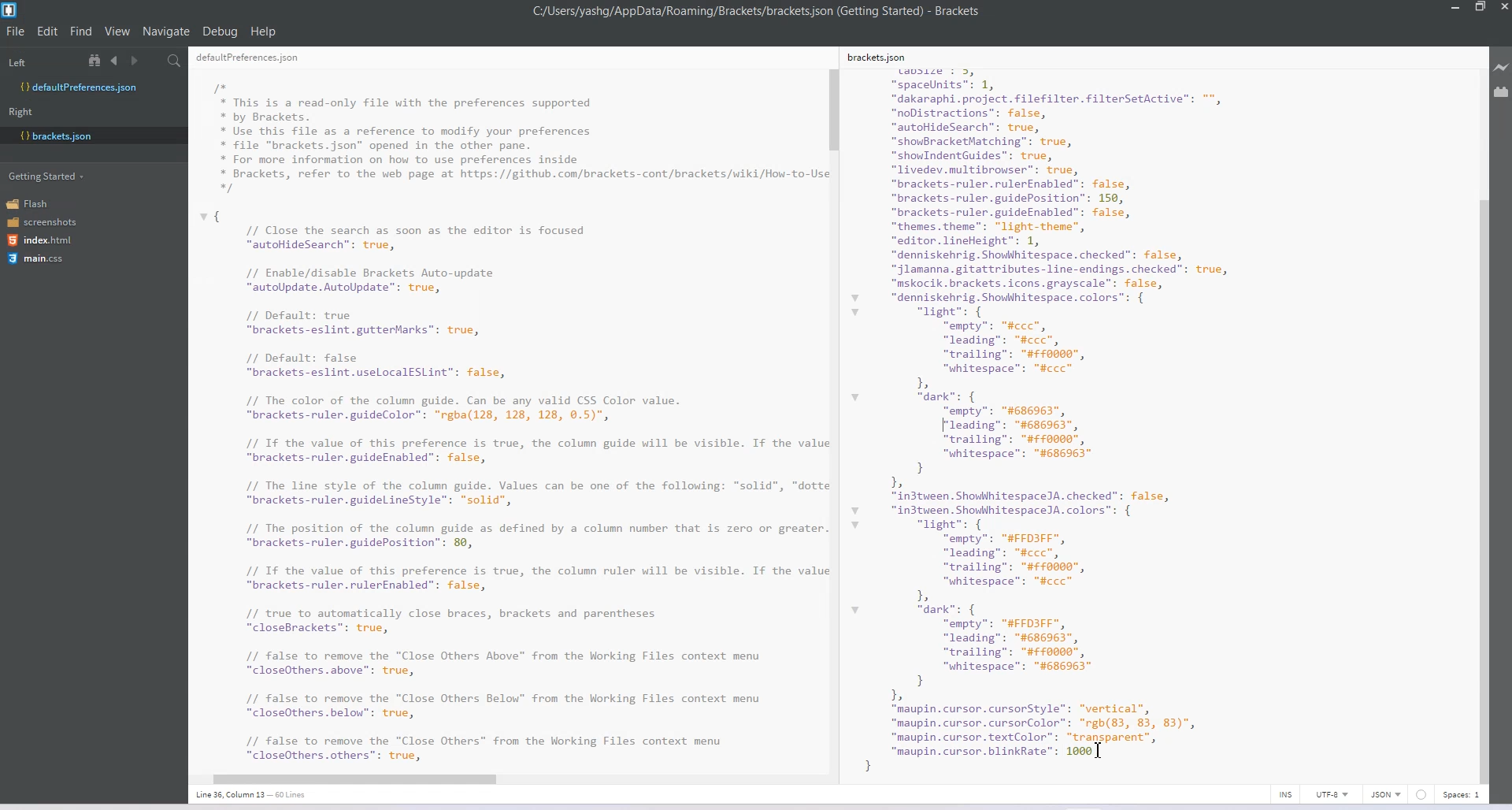  What do you see at coordinates (117, 60) in the screenshot?
I see `Navigate Backward` at bounding box center [117, 60].